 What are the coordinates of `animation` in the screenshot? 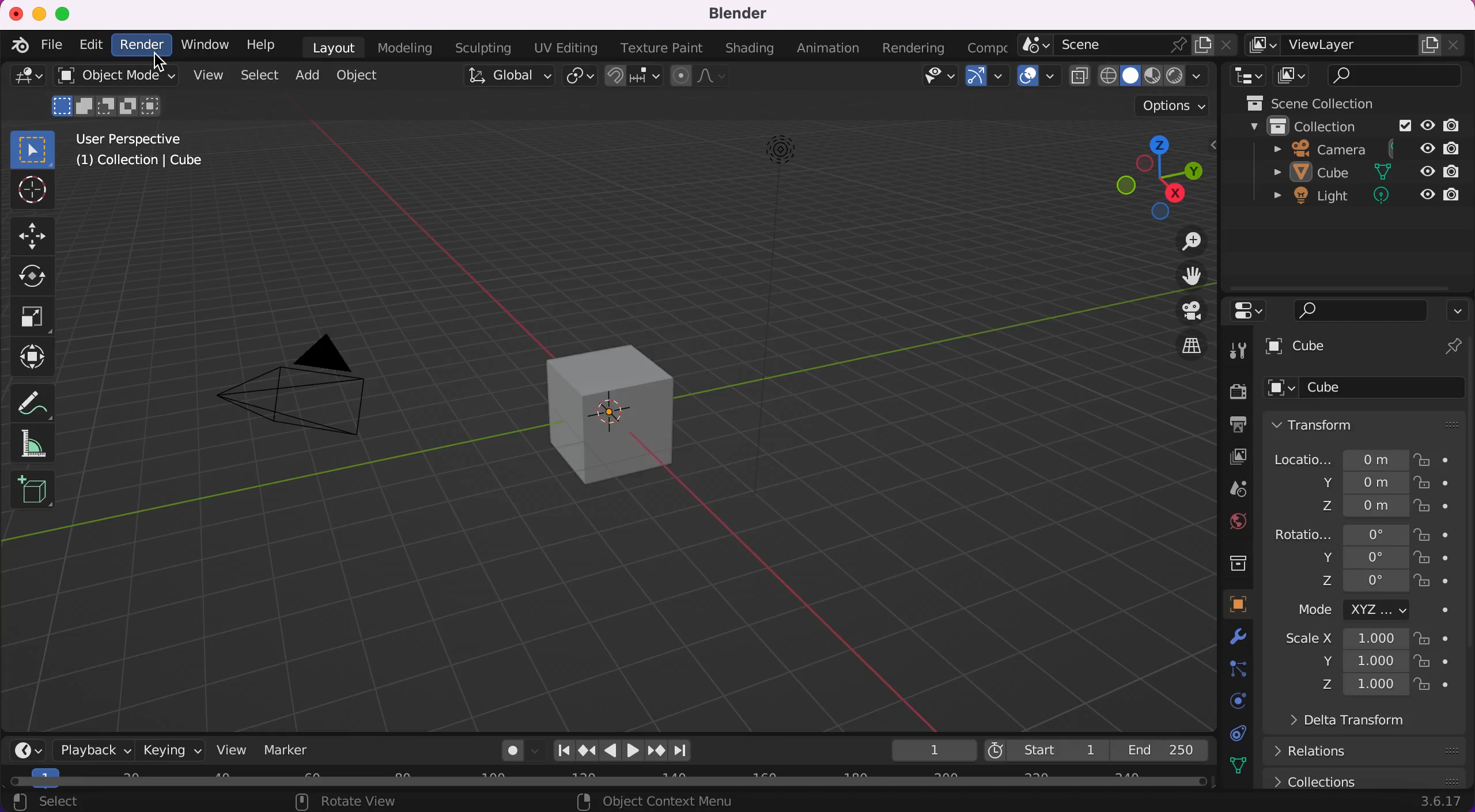 It's located at (824, 49).